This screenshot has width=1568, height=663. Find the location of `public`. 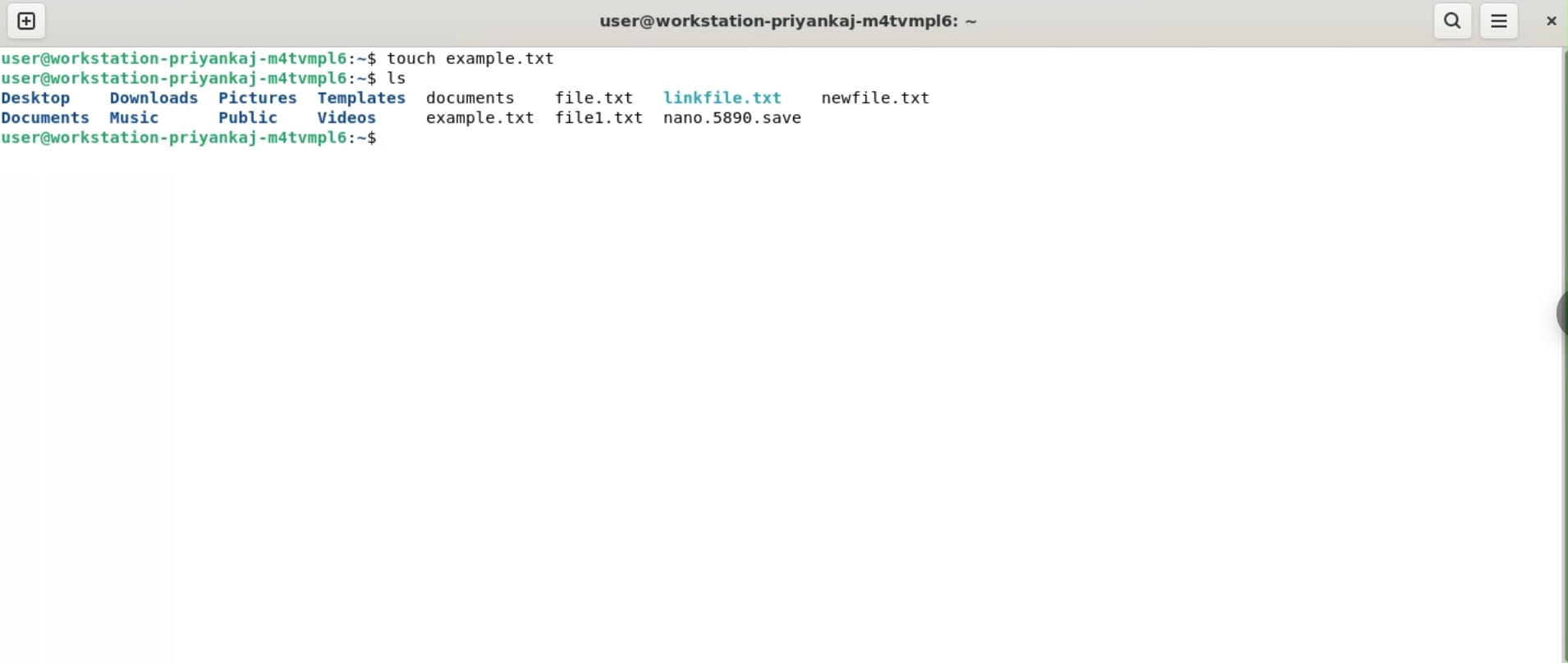

public is located at coordinates (245, 118).